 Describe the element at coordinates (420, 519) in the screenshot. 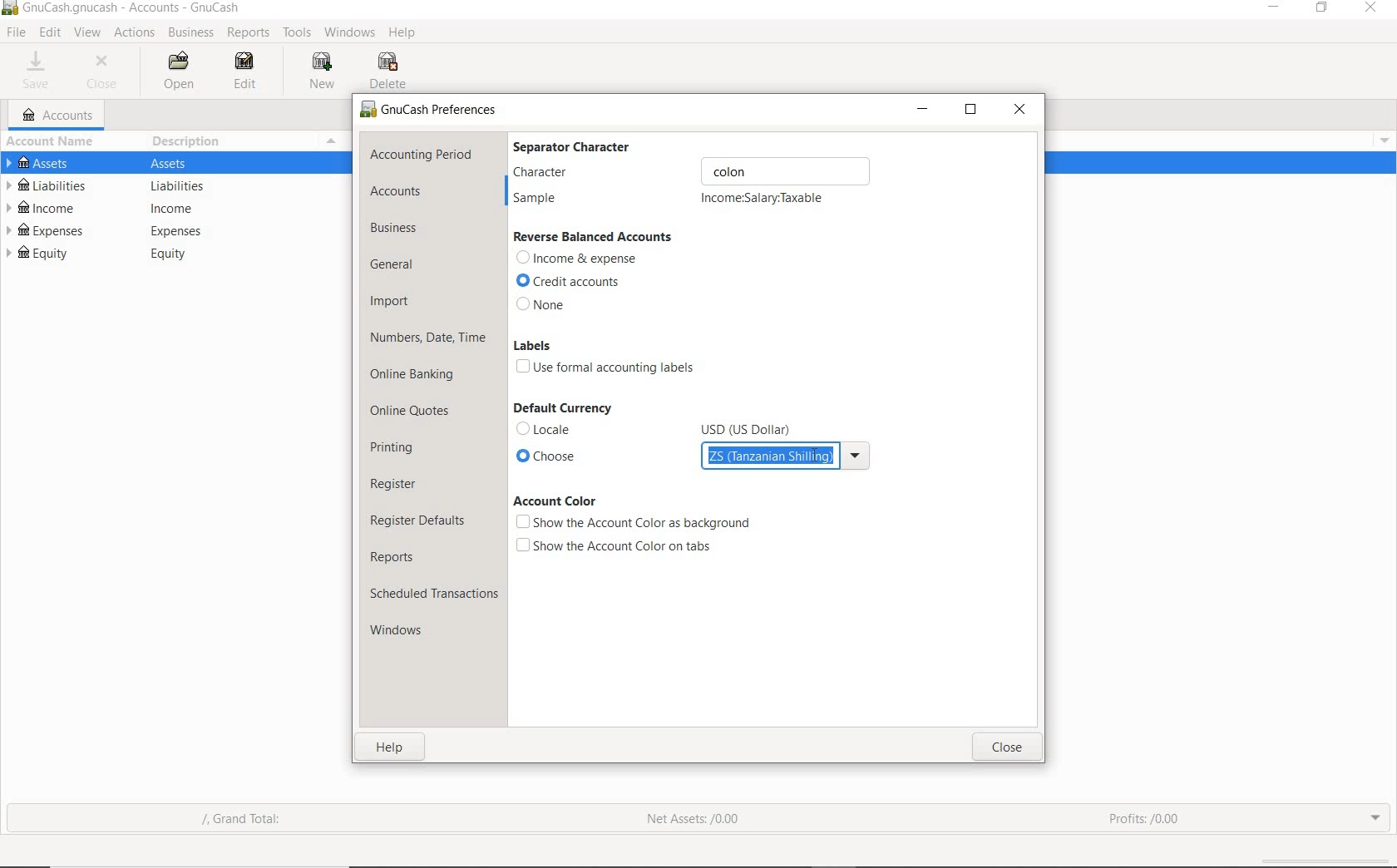

I see `register defaults` at that location.